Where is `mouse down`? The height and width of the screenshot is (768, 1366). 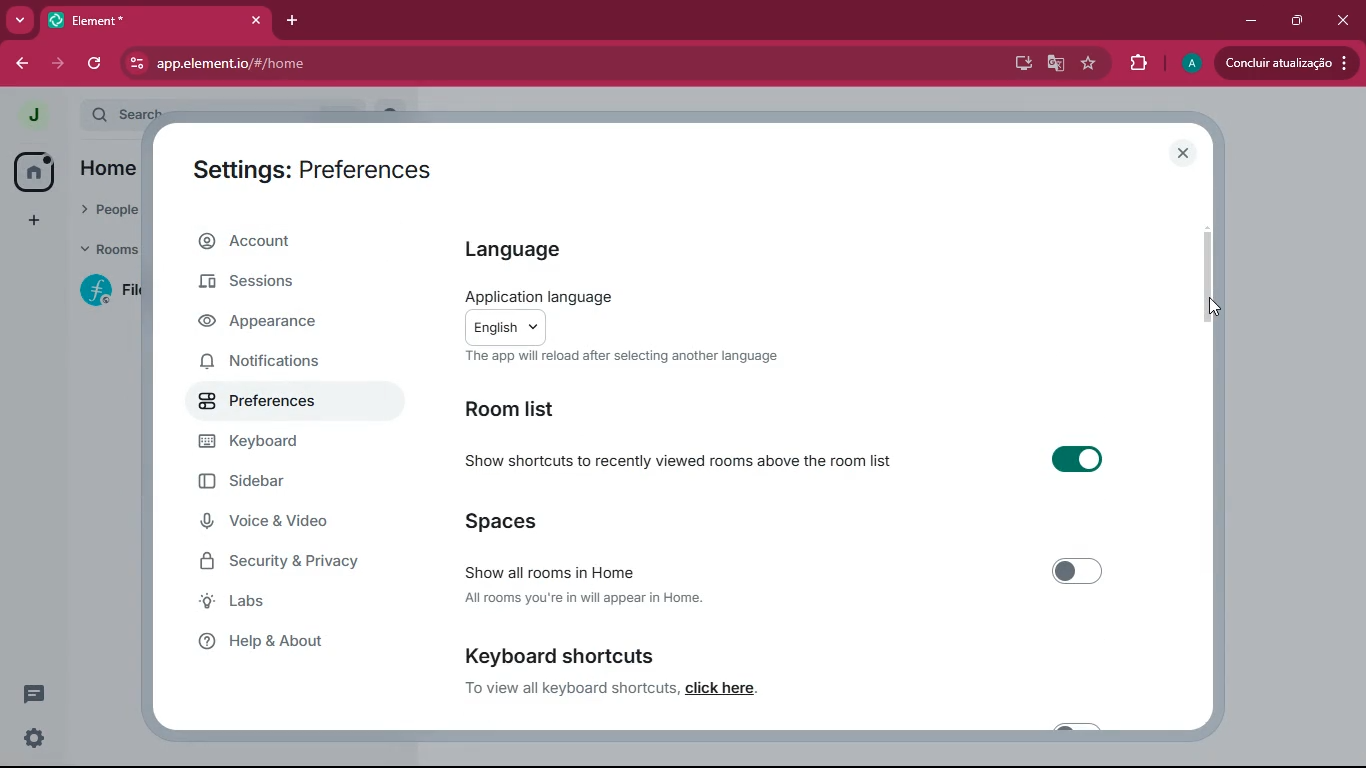 mouse down is located at coordinates (1215, 307).